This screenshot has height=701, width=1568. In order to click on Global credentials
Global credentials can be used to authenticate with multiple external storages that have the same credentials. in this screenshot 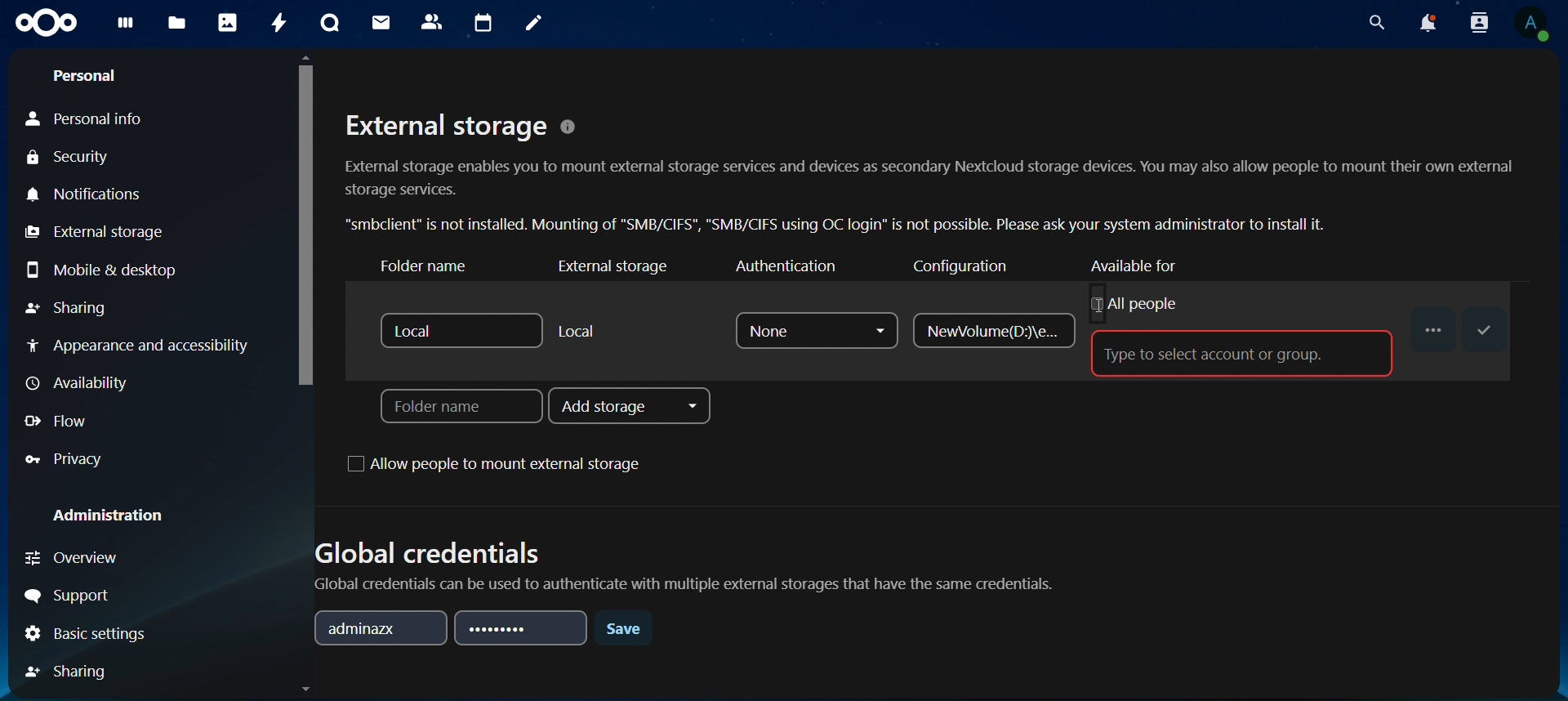, I will do `click(689, 558)`.